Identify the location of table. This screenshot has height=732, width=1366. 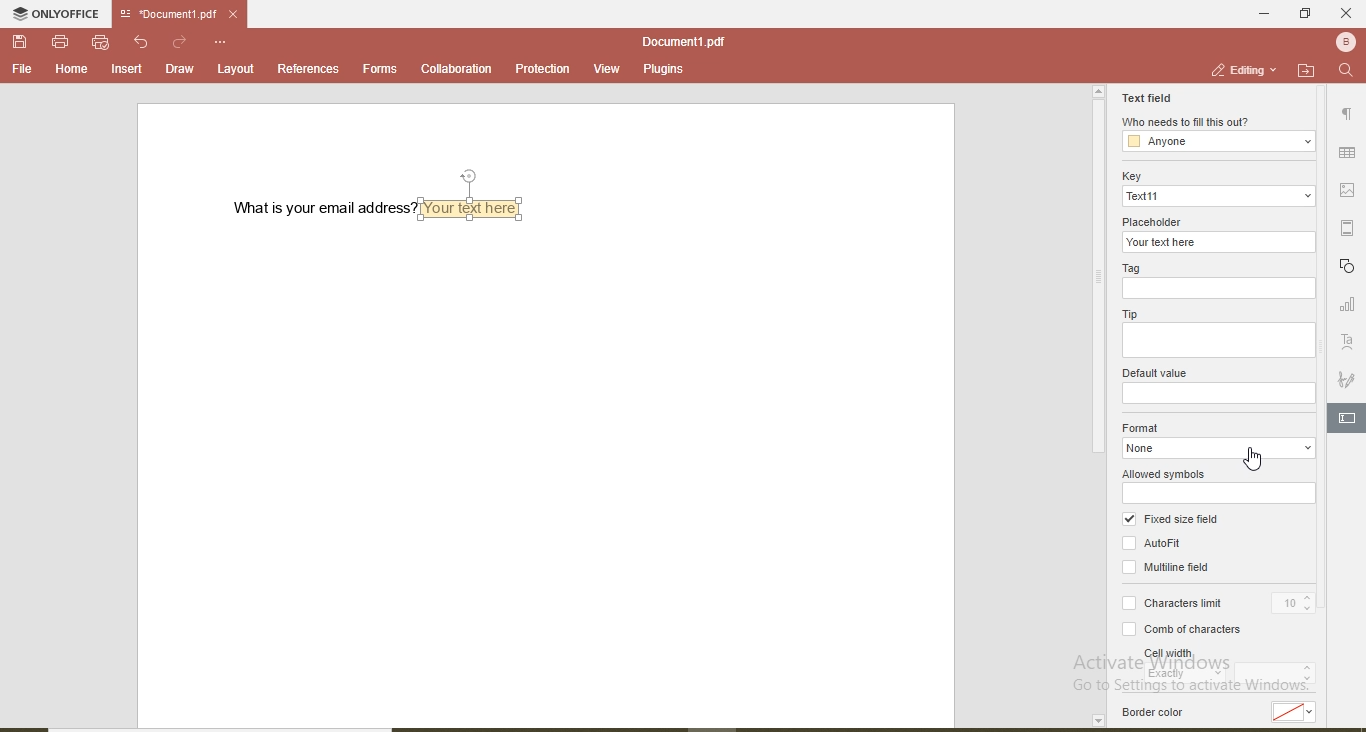
(1348, 154).